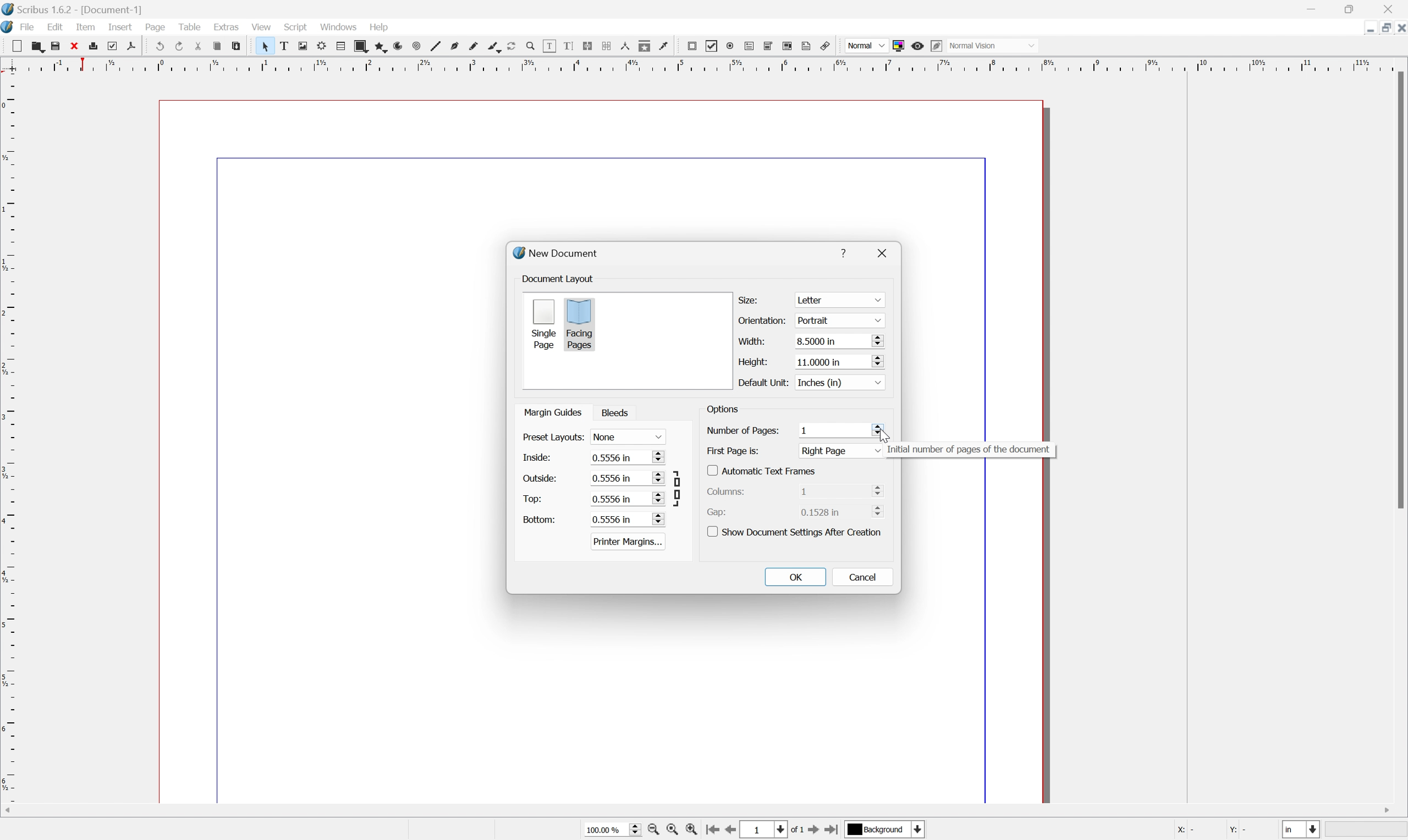 This screenshot has width=1408, height=840. I want to click on Scroll bar, so click(1399, 292).